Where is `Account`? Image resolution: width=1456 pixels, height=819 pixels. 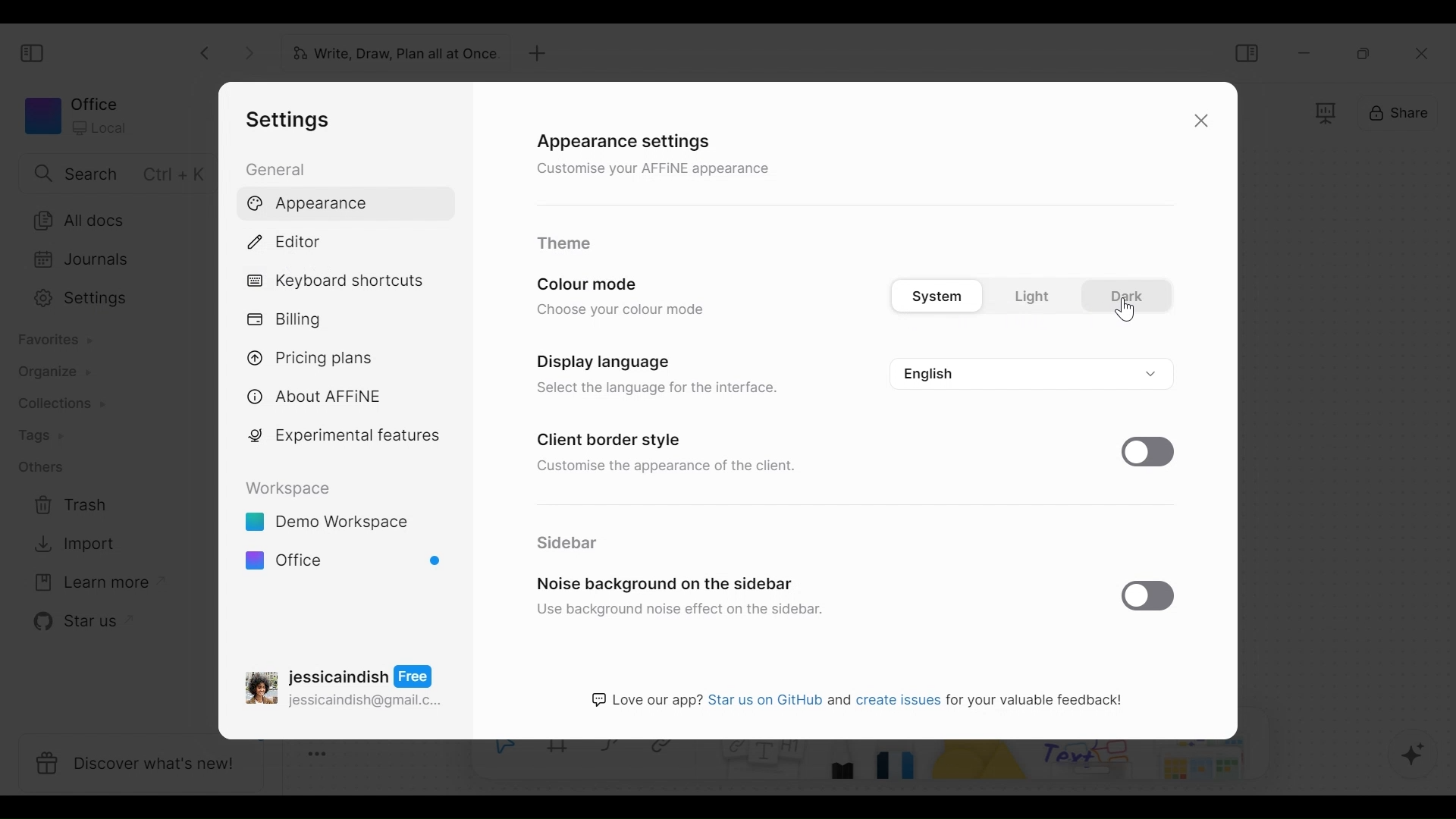 Account is located at coordinates (344, 682).